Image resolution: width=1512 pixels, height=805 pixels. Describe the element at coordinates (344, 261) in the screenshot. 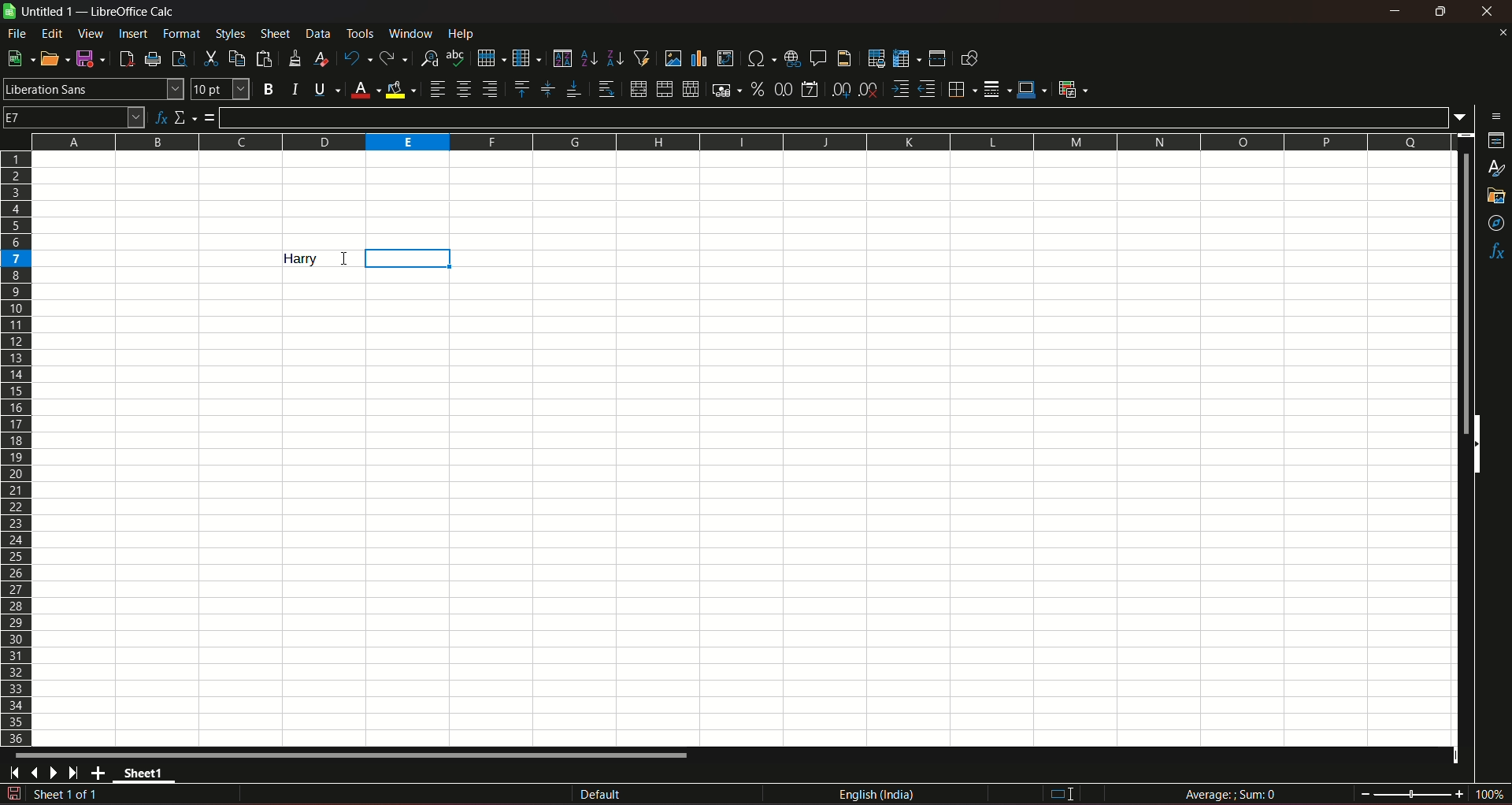

I see `I beam cursor` at that location.